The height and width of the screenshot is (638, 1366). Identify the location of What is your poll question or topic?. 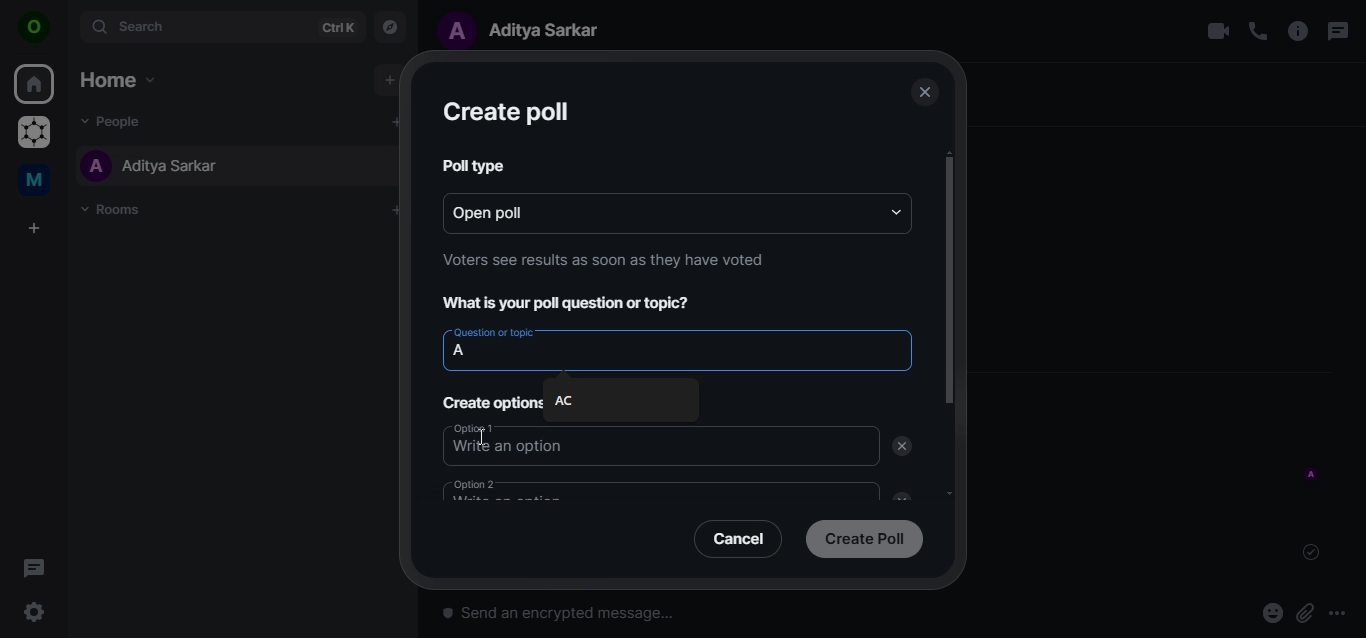
(573, 304).